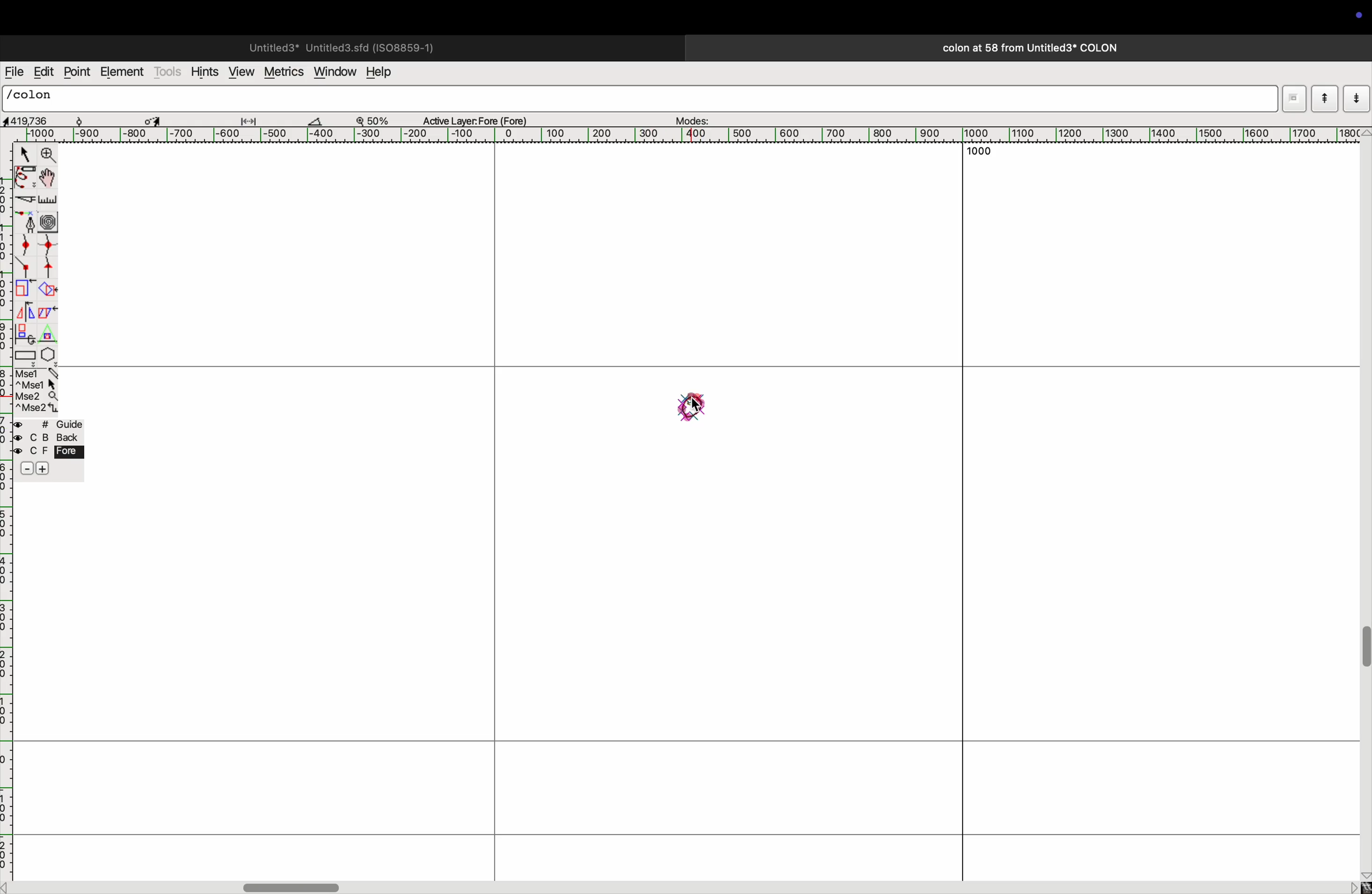 This screenshot has width=1372, height=894. I want to click on toggle, so click(153, 119).